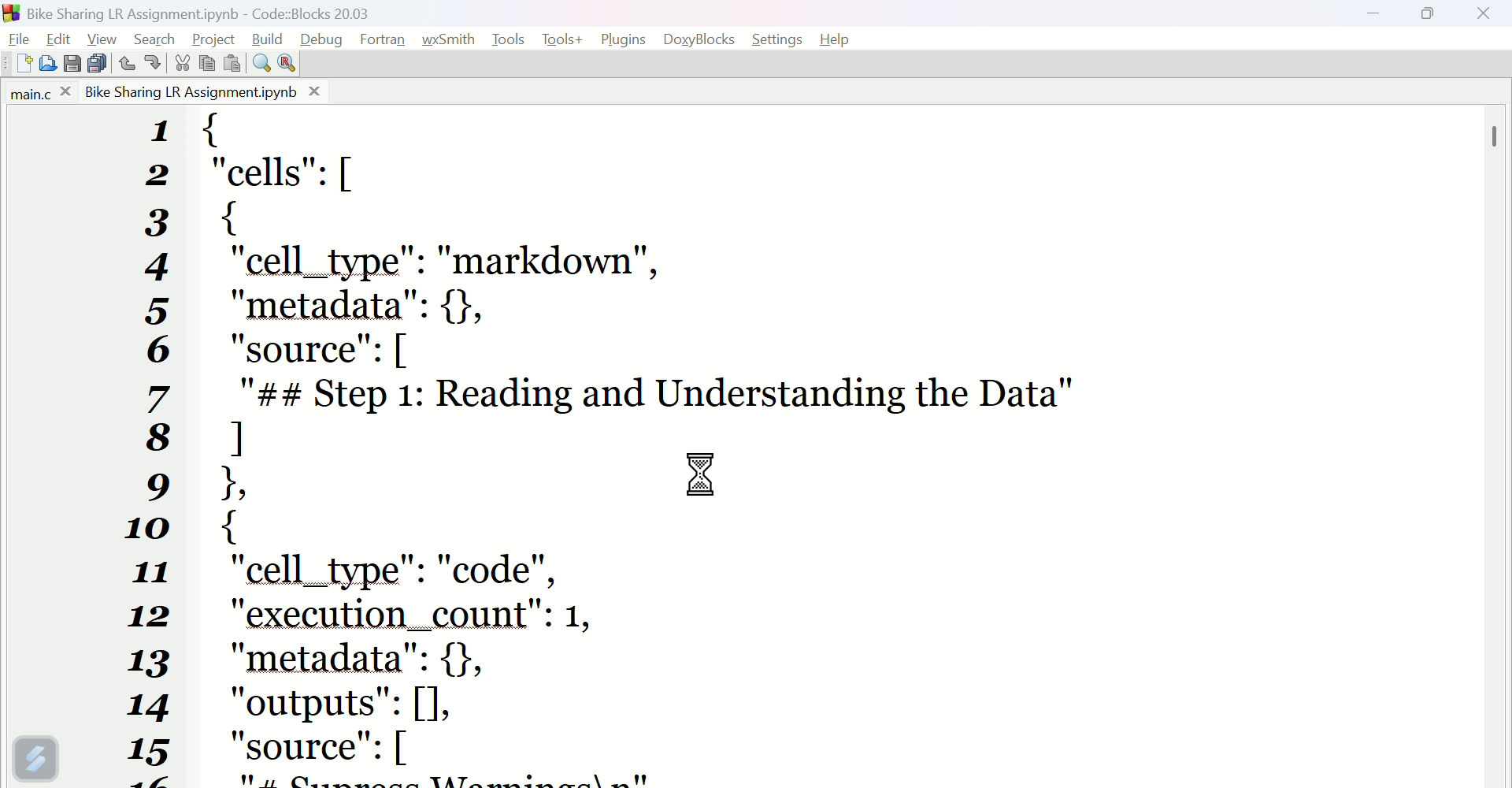  Describe the element at coordinates (701, 477) in the screenshot. I see `Cursor` at that location.